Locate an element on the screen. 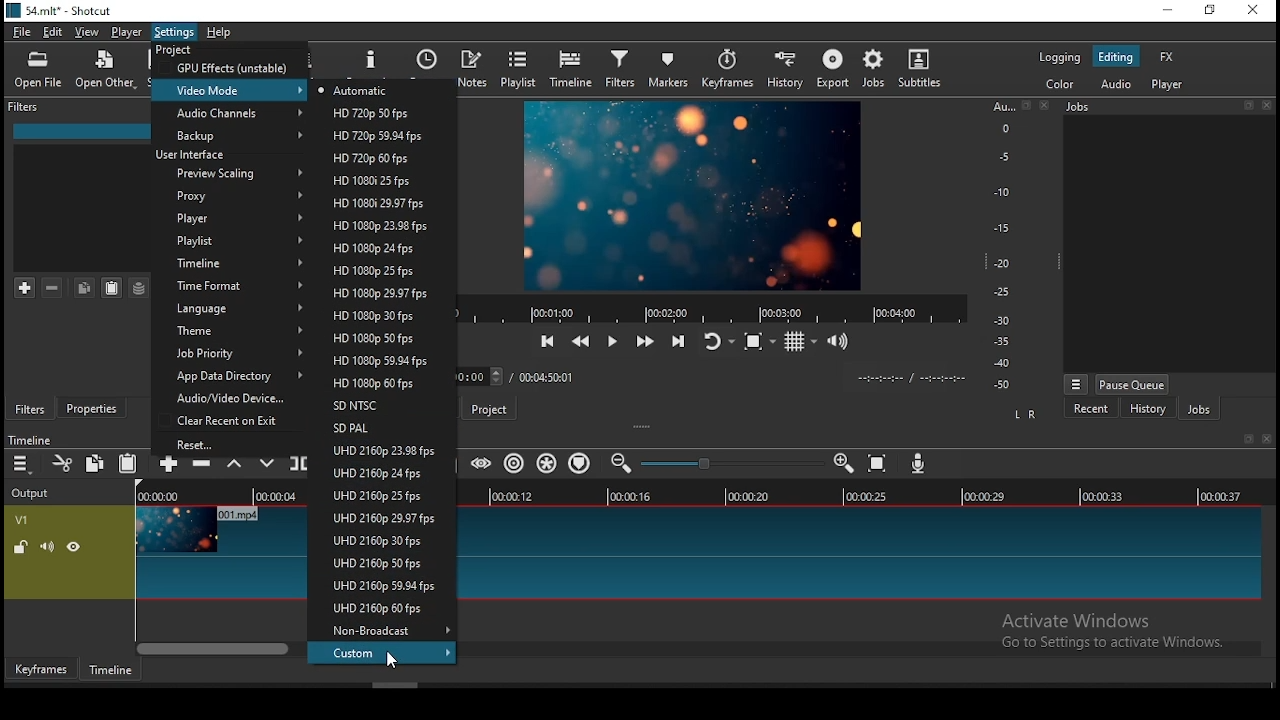 The height and width of the screenshot is (720, 1280). resolution option is located at coordinates (383, 315).